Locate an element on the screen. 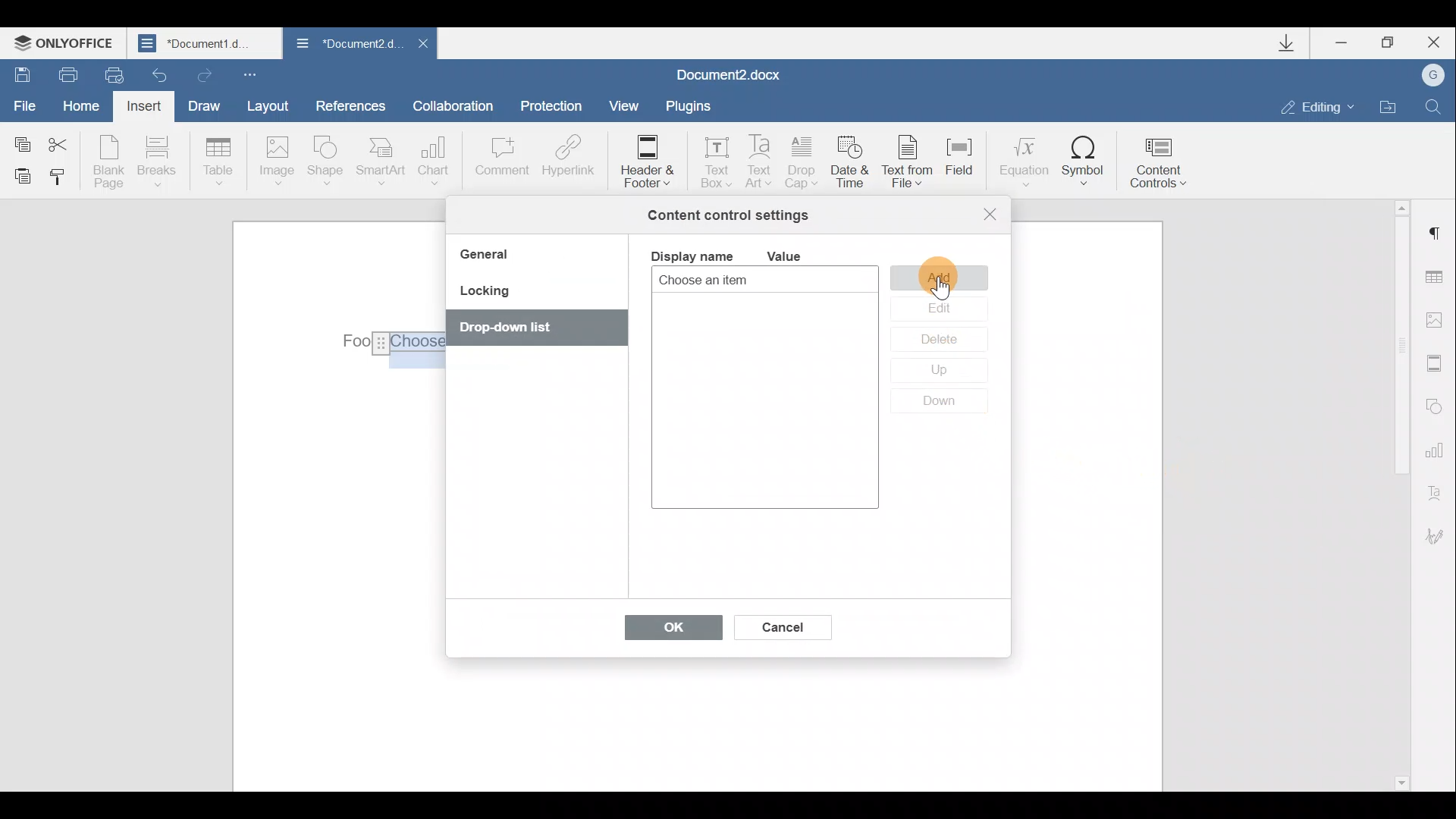 The image size is (1456, 819). Up is located at coordinates (937, 372).